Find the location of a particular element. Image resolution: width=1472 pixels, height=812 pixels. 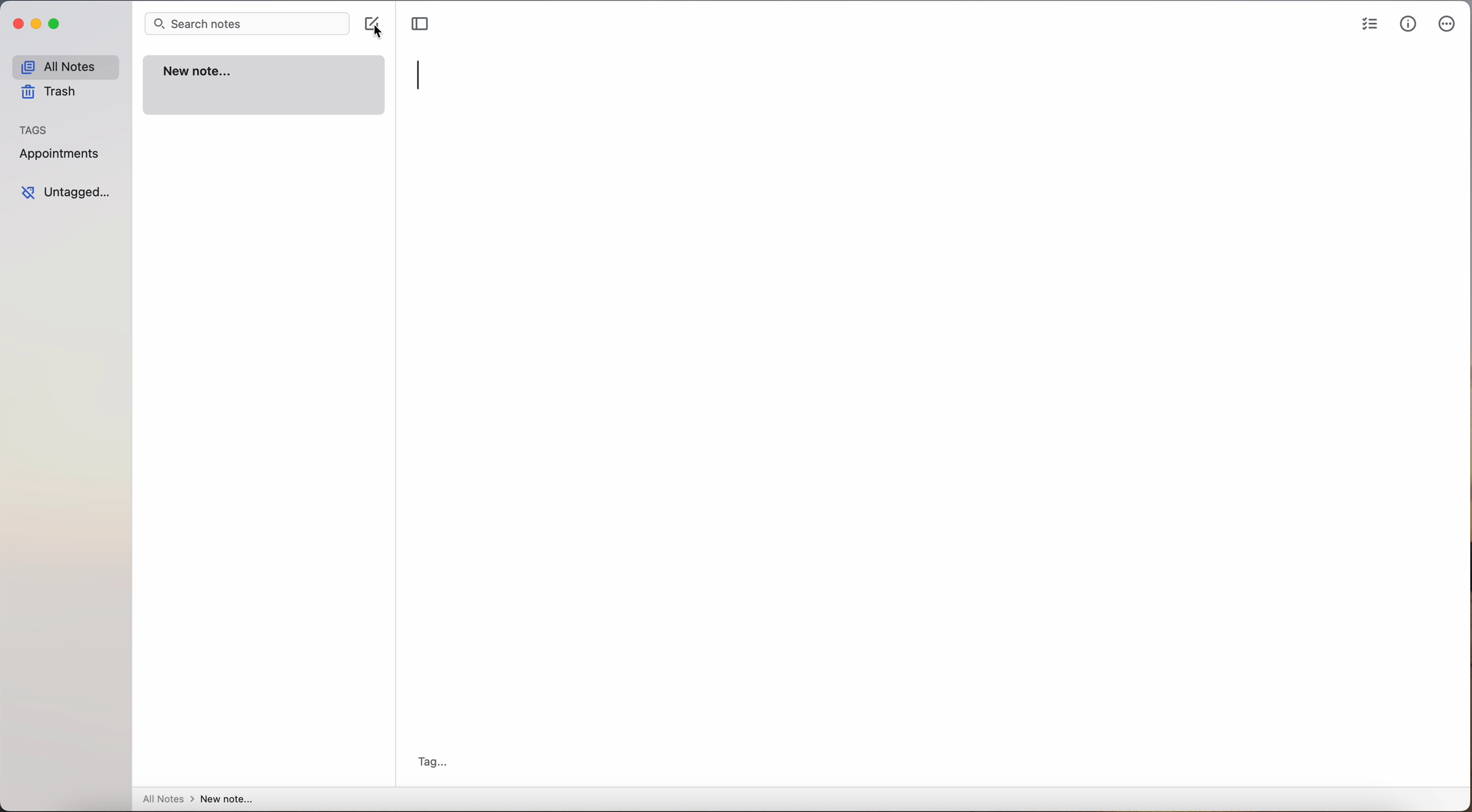

untagged is located at coordinates (69, 195).